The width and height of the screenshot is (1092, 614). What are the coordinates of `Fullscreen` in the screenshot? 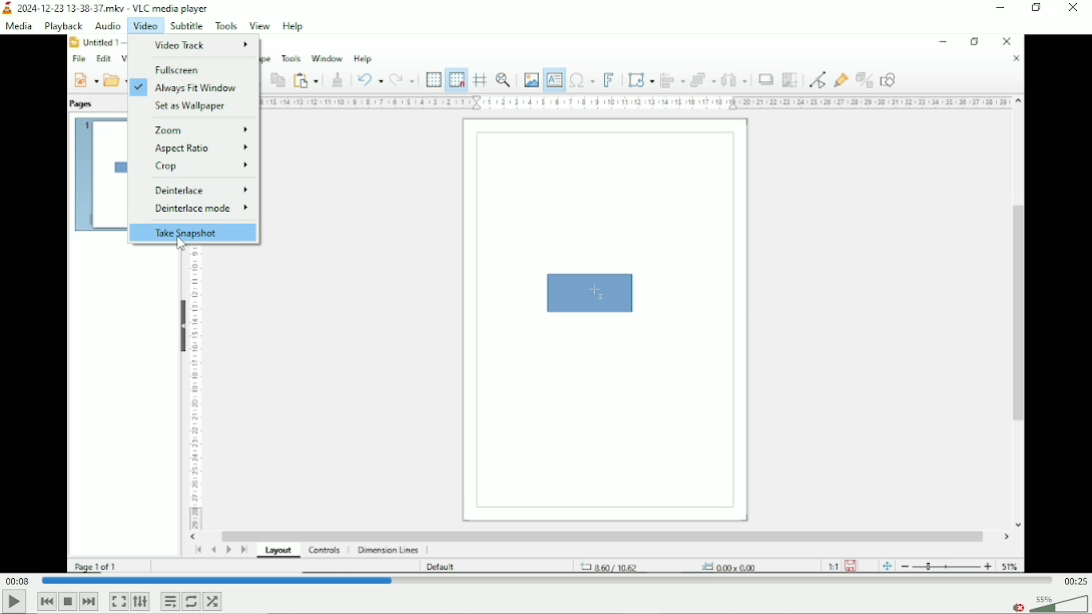 It's located at (179, 69).